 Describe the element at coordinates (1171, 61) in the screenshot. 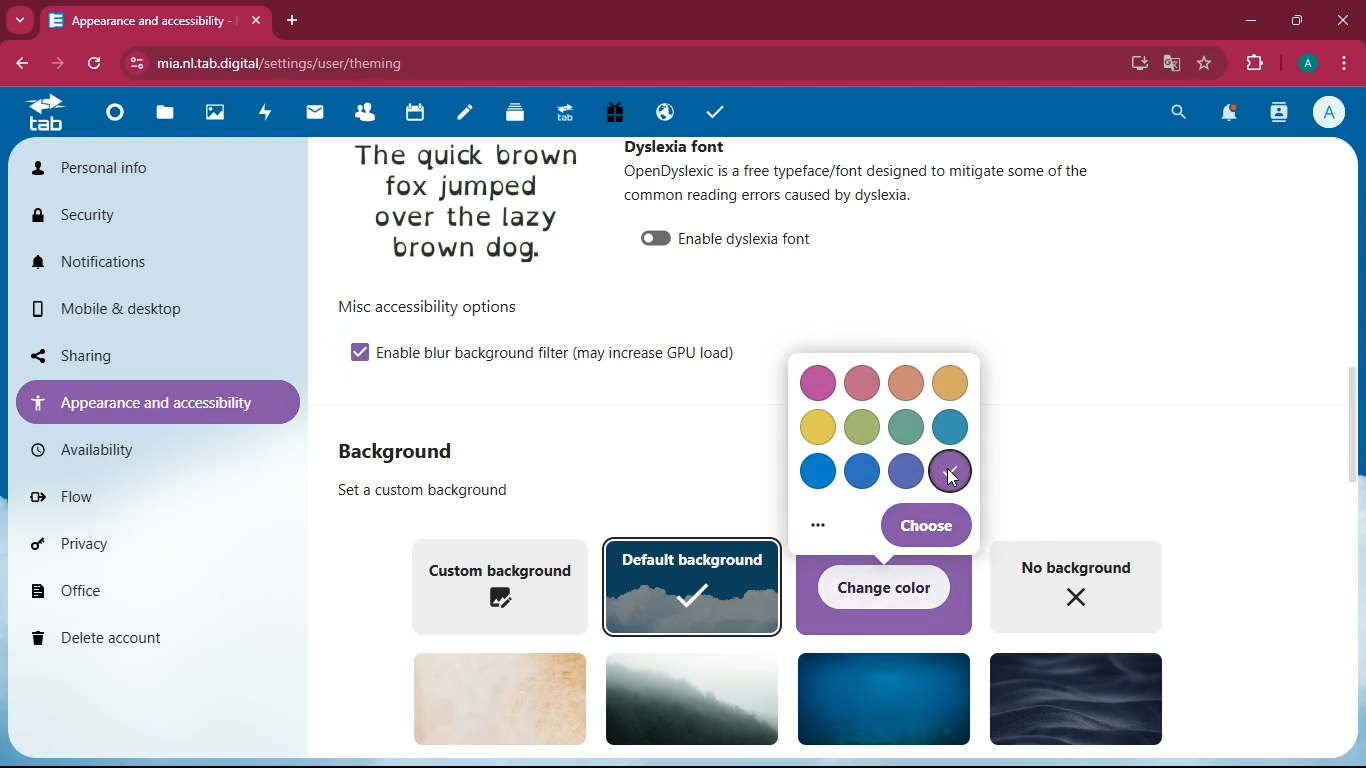

I see `google translate` at that location.